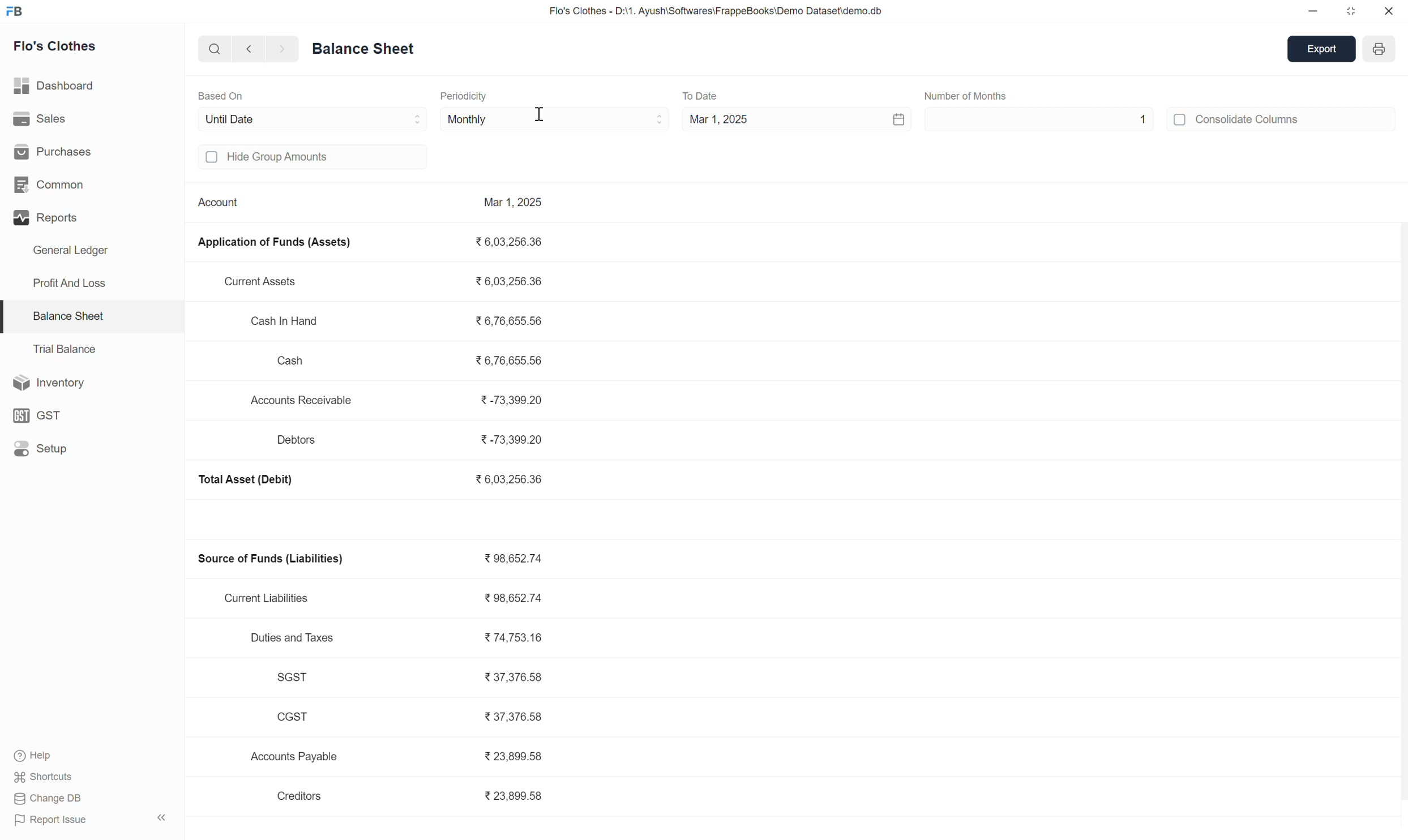 This screenshot has height=840, width=1408. What do you see at coordinates (377, 559) in the screenshot?
I see `Source of Funds (Liabilities) 398,652.74` at bounding box center [377, 559].